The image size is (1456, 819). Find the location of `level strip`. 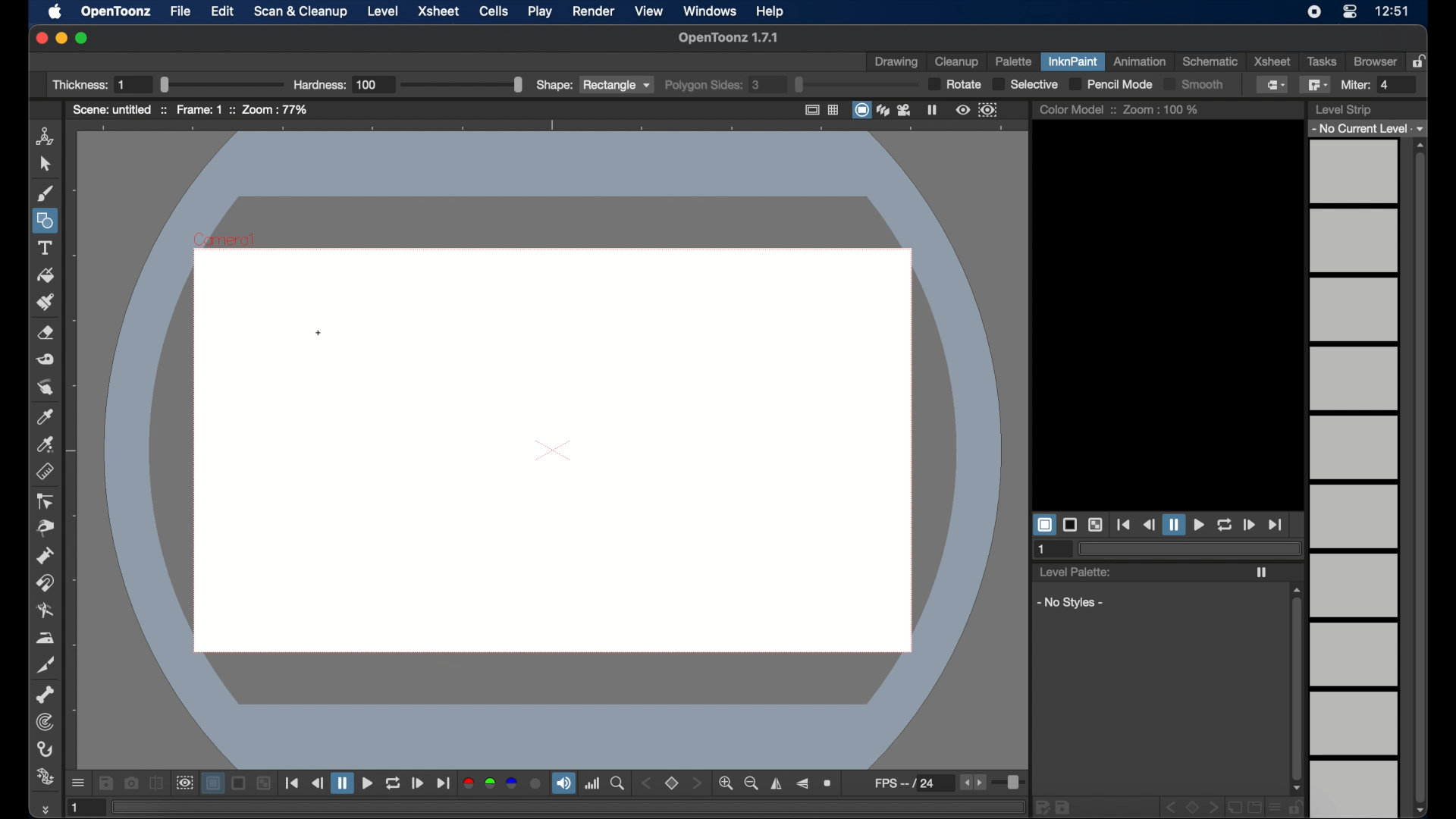

level strip is located at coordinates (1344, 109).